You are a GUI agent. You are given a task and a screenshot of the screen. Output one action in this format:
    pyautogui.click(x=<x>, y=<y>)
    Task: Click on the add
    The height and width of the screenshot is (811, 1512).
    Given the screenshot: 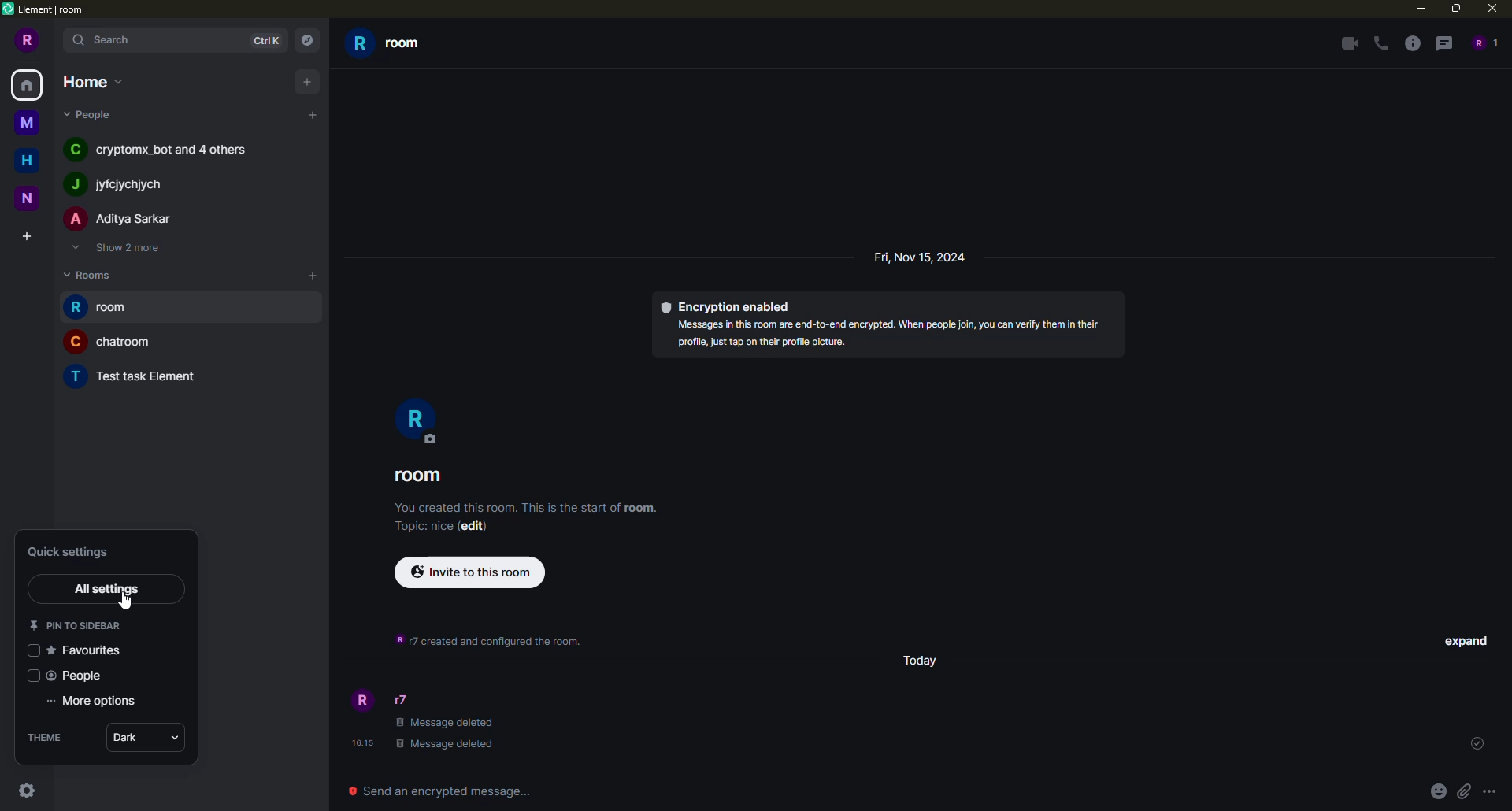 What is the action you would take?
    pyautogui.click(x=307, y=80)
    